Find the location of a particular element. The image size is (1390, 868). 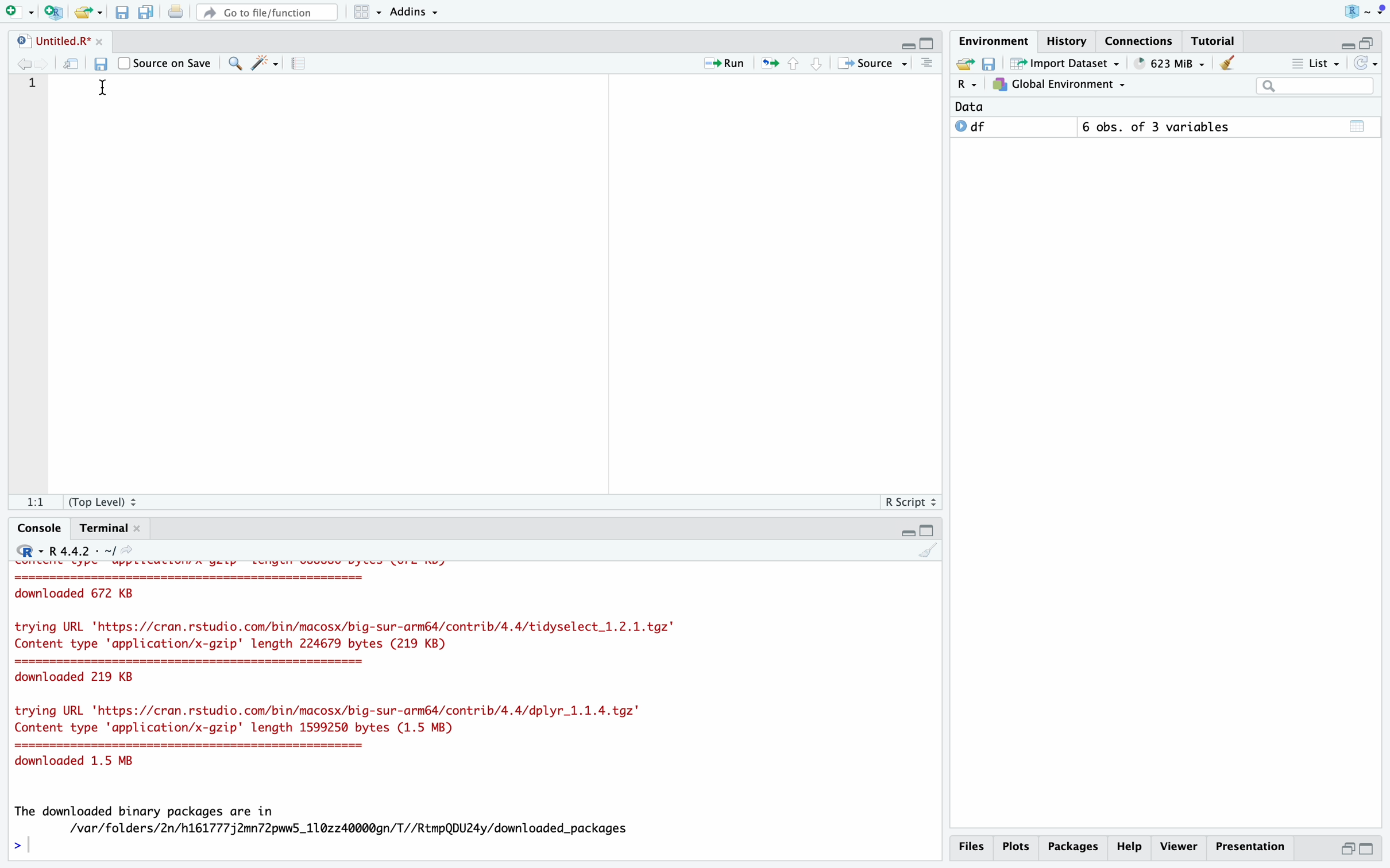

Open new file is located at coordinates (21, 11).